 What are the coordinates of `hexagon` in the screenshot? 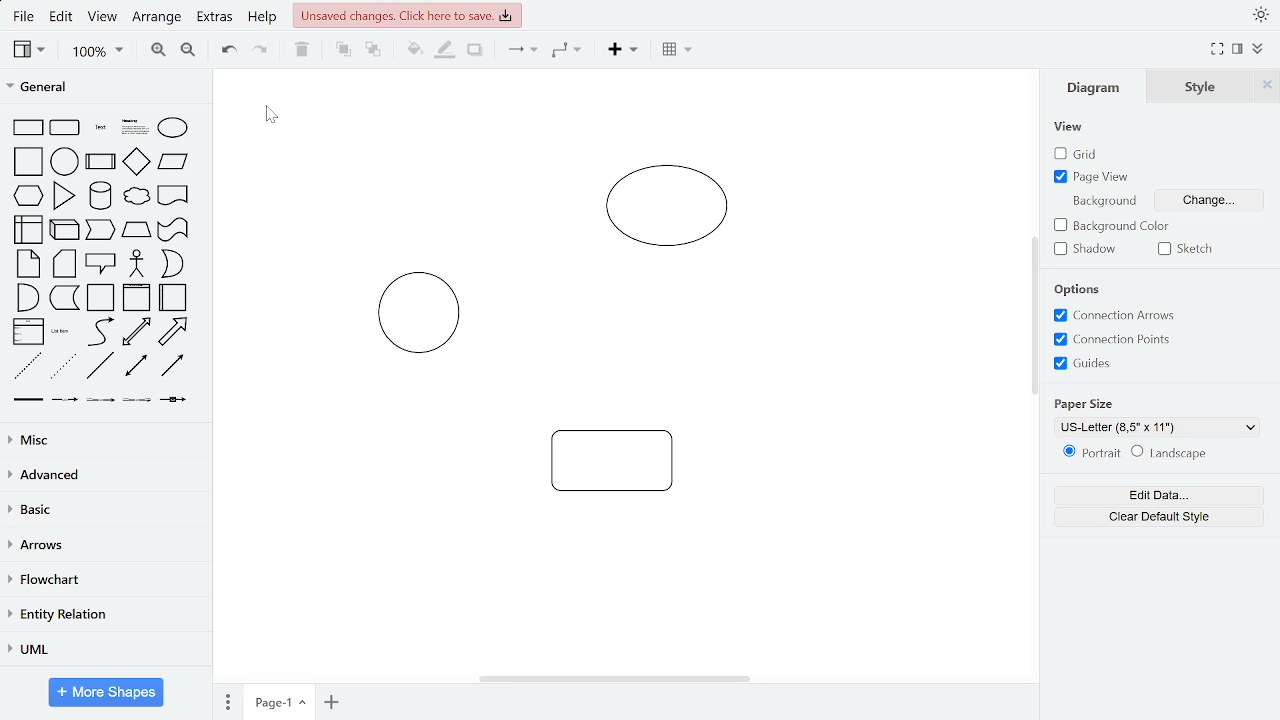 It's located at (29, 194).